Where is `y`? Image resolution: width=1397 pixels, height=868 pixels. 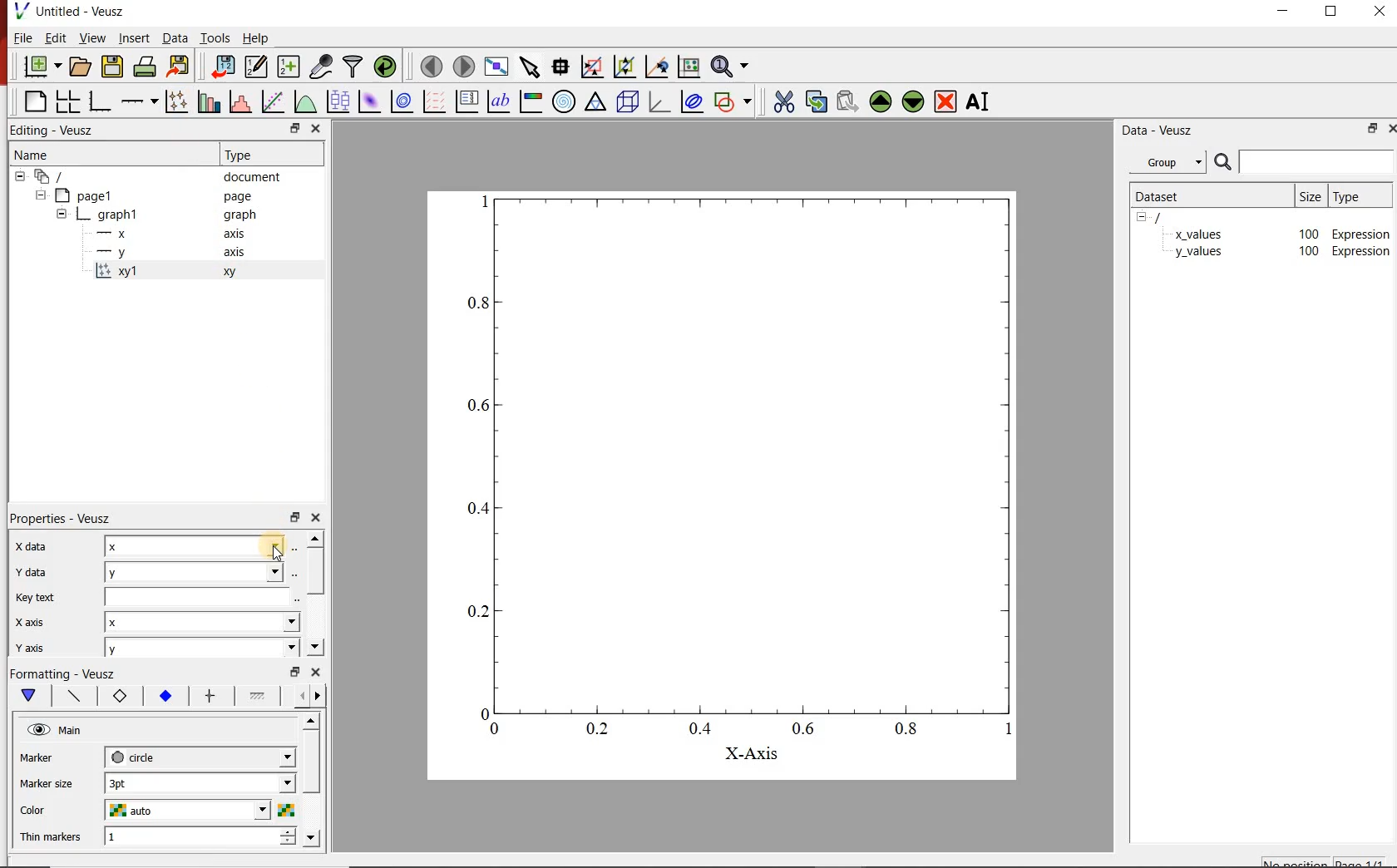
y is located at coordinates (195, 572).